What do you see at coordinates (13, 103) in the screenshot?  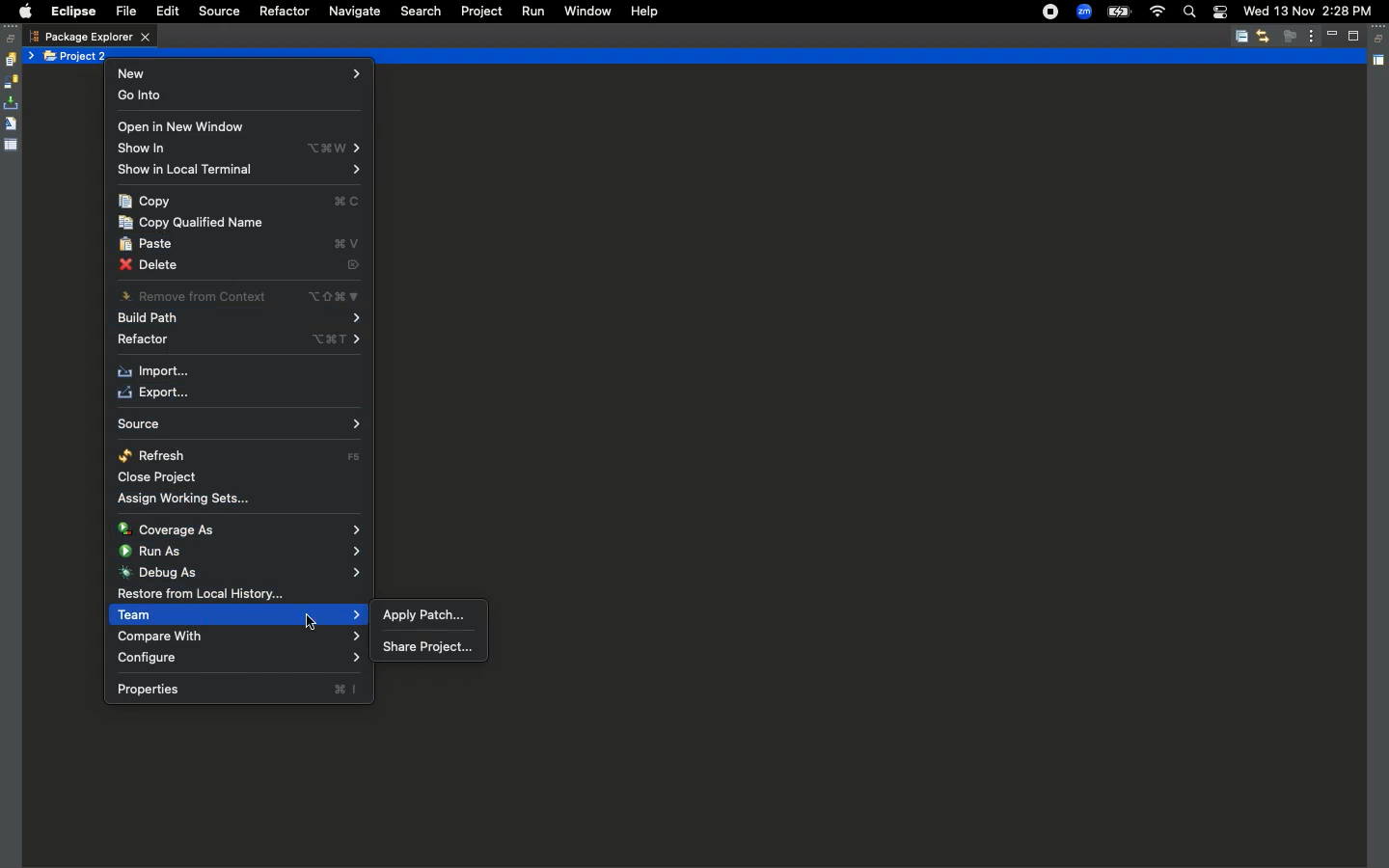 I see `Git staging ` at bounding box center [13, 103].